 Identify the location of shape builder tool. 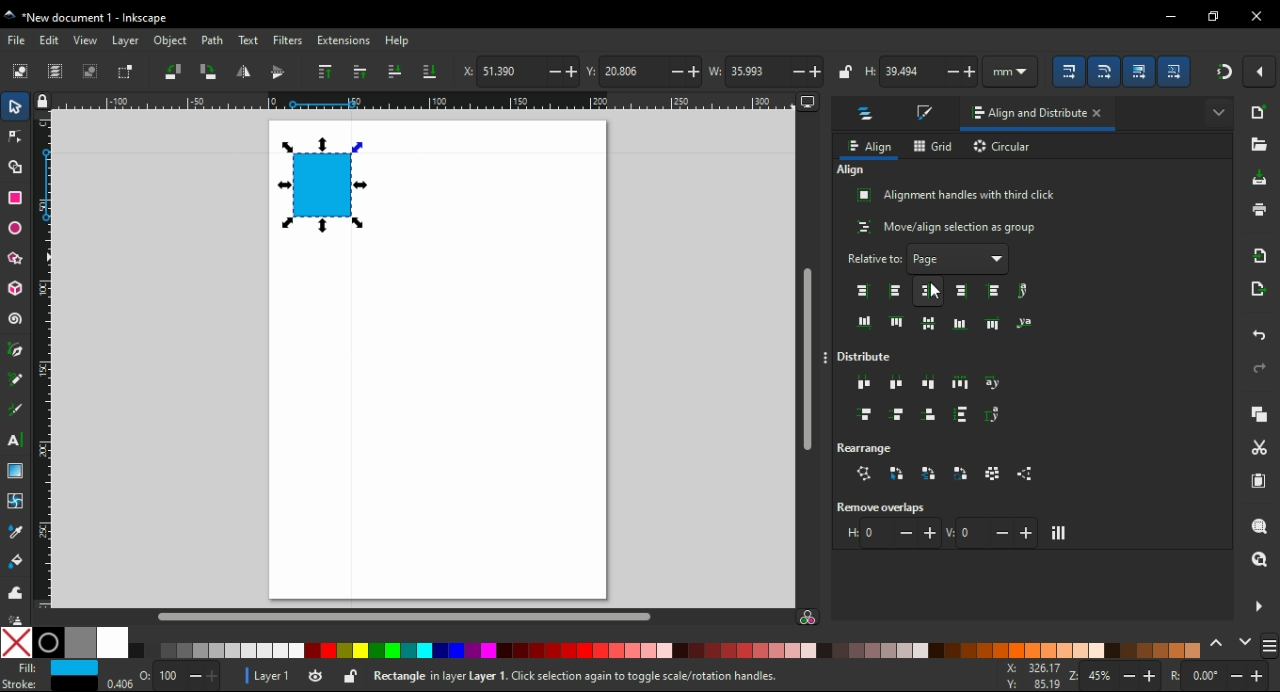
(15, 166).